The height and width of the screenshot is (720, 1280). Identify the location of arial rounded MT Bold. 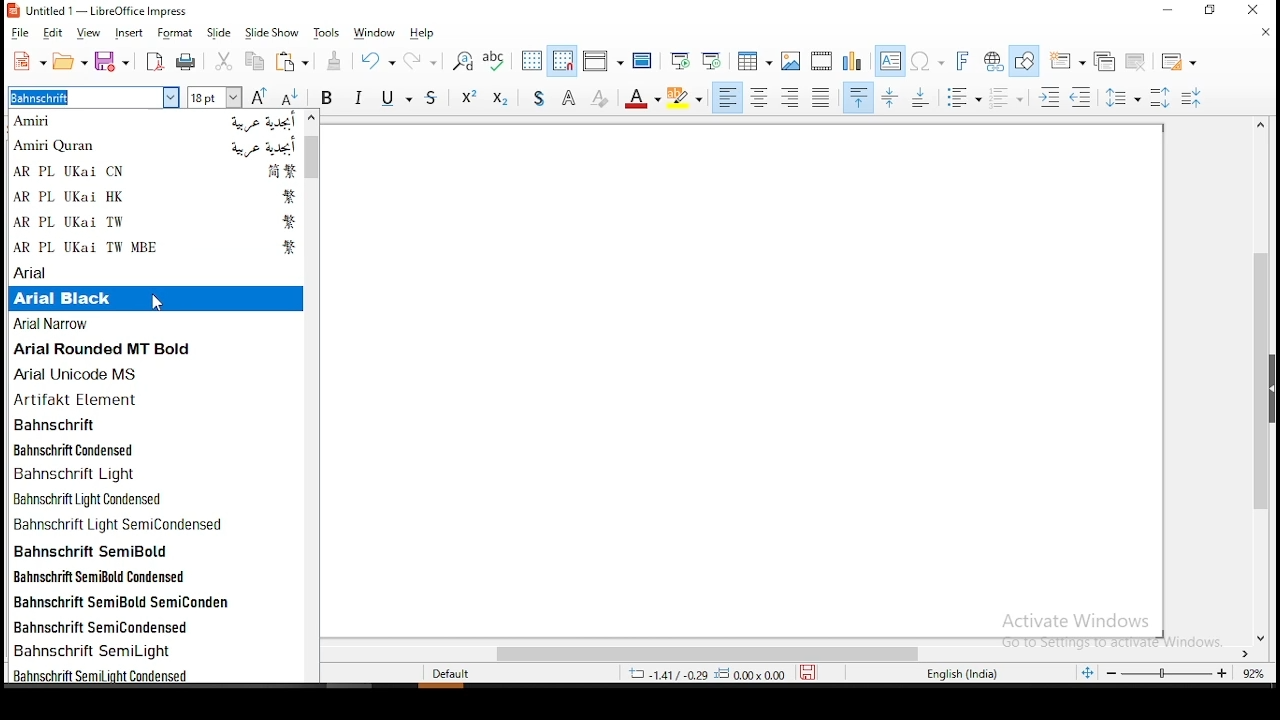
(156, 349).